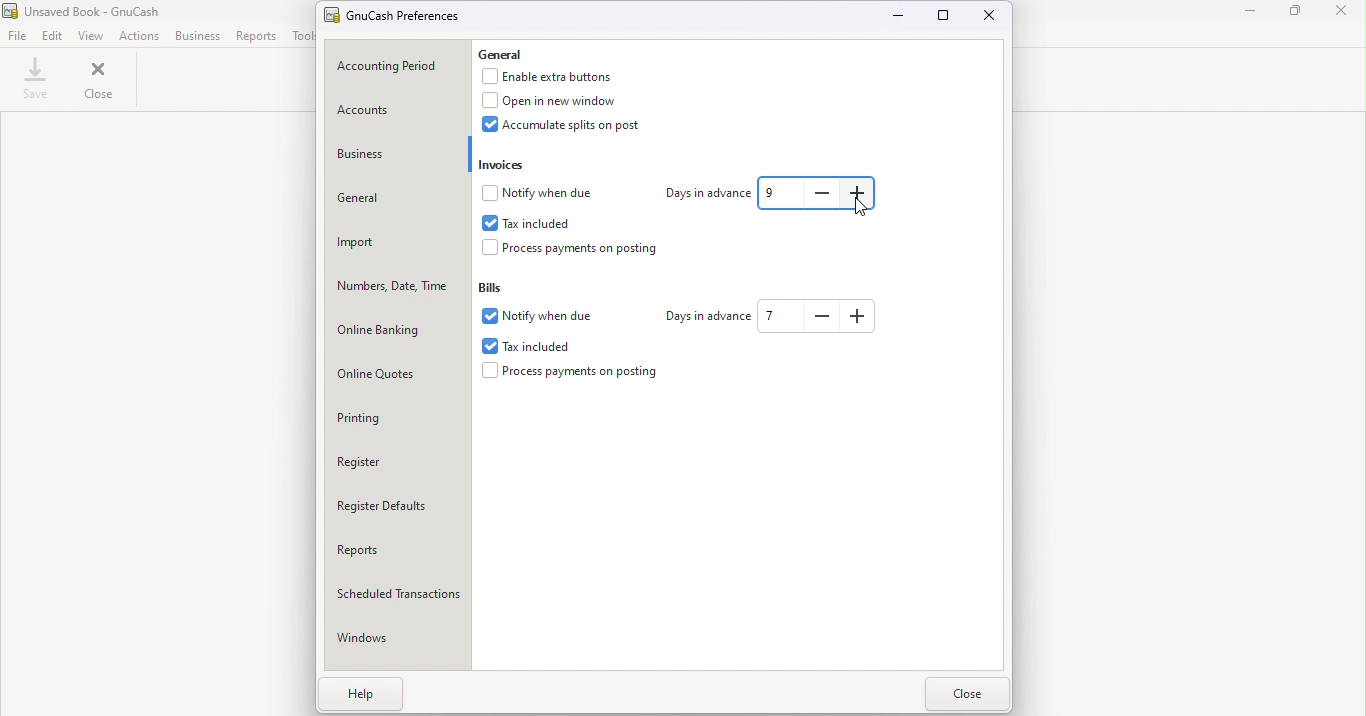 The image size is (1366, 716). I want to click on Notify when due, so click(543, 316).